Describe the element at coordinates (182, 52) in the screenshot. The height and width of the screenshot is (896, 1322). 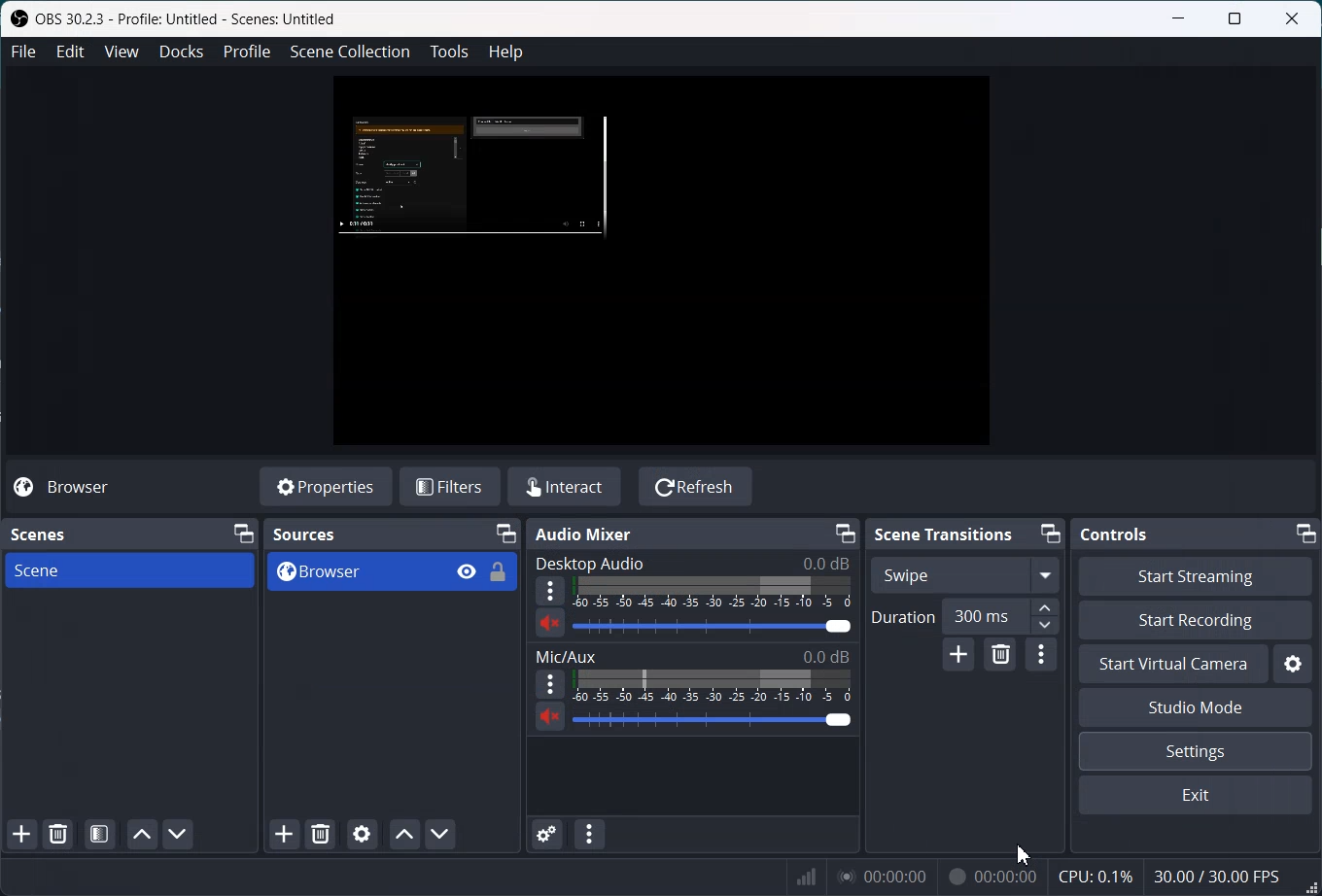
I see `Docks` at that location.